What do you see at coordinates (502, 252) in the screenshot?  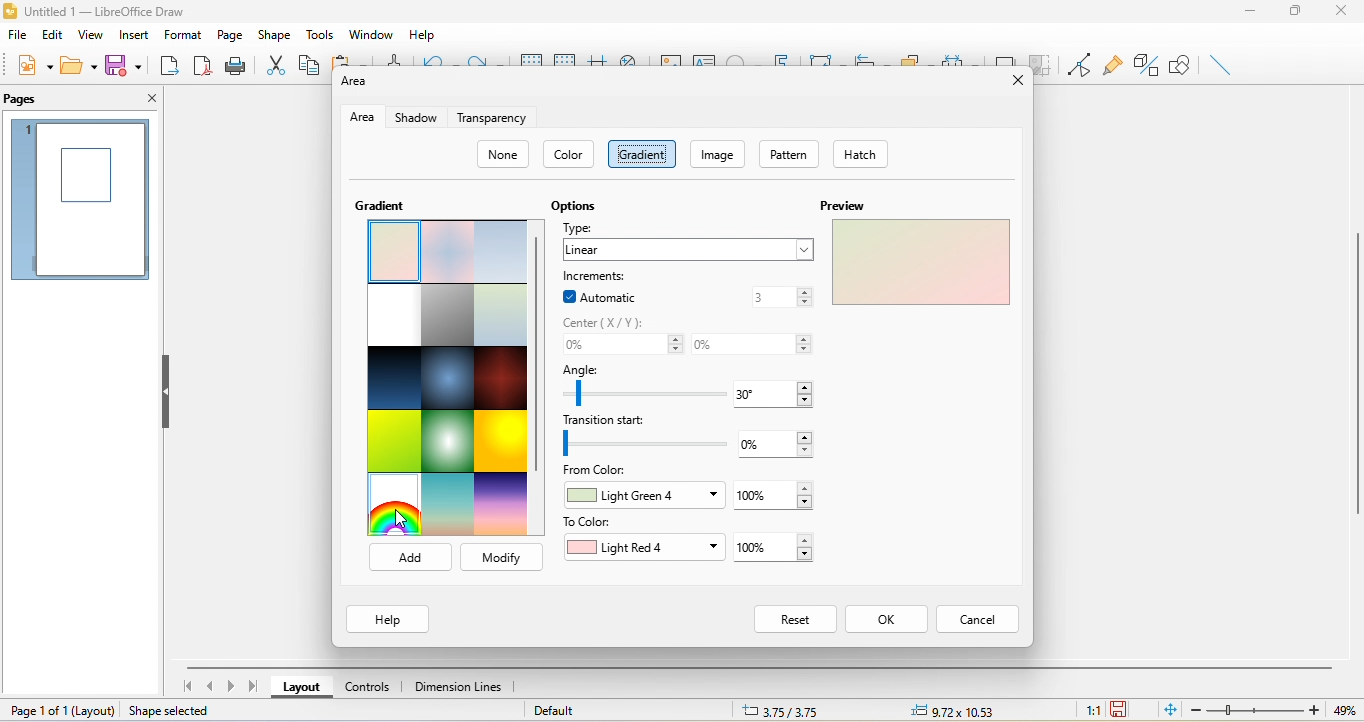 I see `blue touch` at bounding box center [502, 252].